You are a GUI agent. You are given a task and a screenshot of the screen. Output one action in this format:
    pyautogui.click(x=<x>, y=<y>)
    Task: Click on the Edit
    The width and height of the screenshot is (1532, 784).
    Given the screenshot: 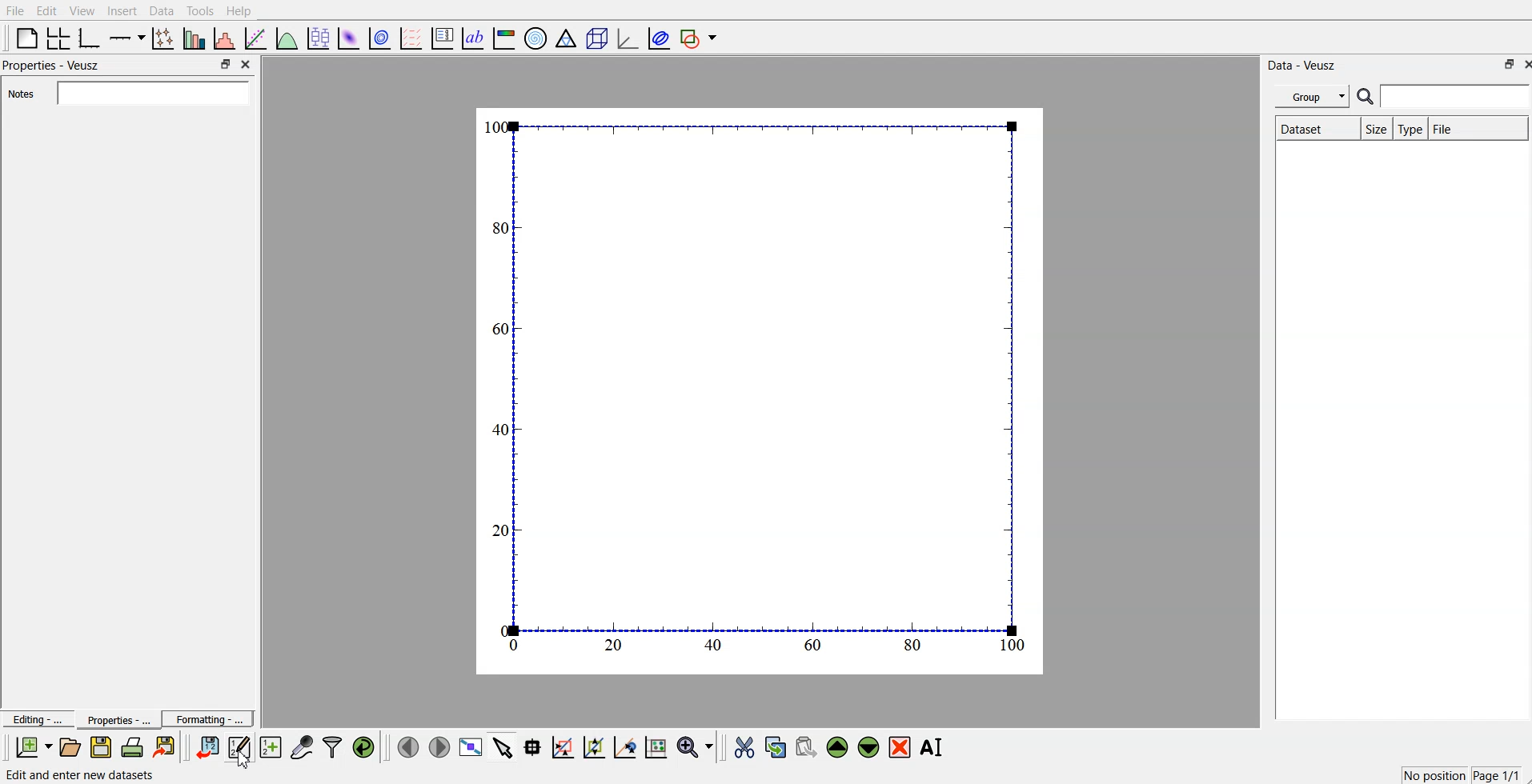 What is the action you would take?
    pyautogui.click(x=47, y=10)
    